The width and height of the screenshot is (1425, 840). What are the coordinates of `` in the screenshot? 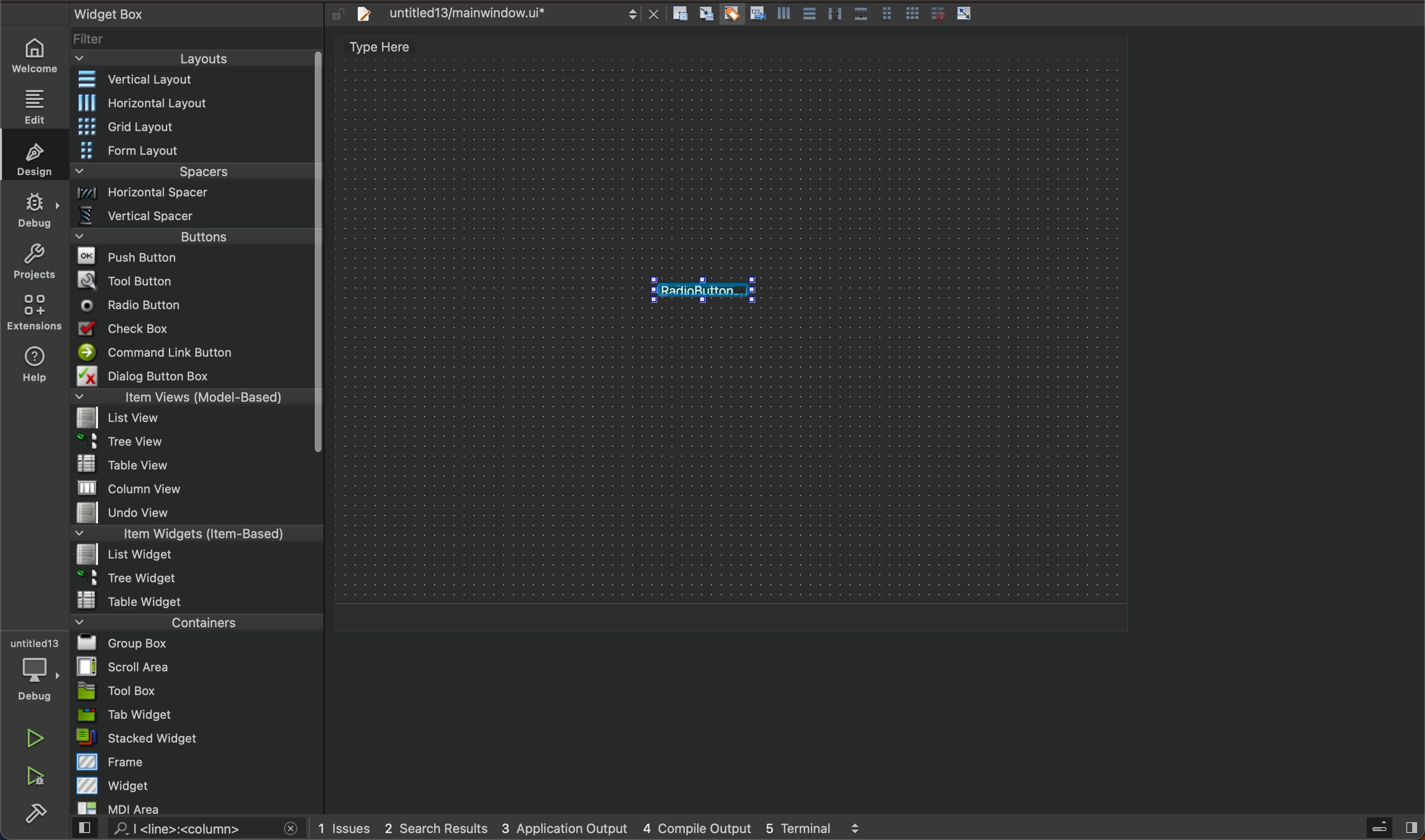 It's located at (782, 16).